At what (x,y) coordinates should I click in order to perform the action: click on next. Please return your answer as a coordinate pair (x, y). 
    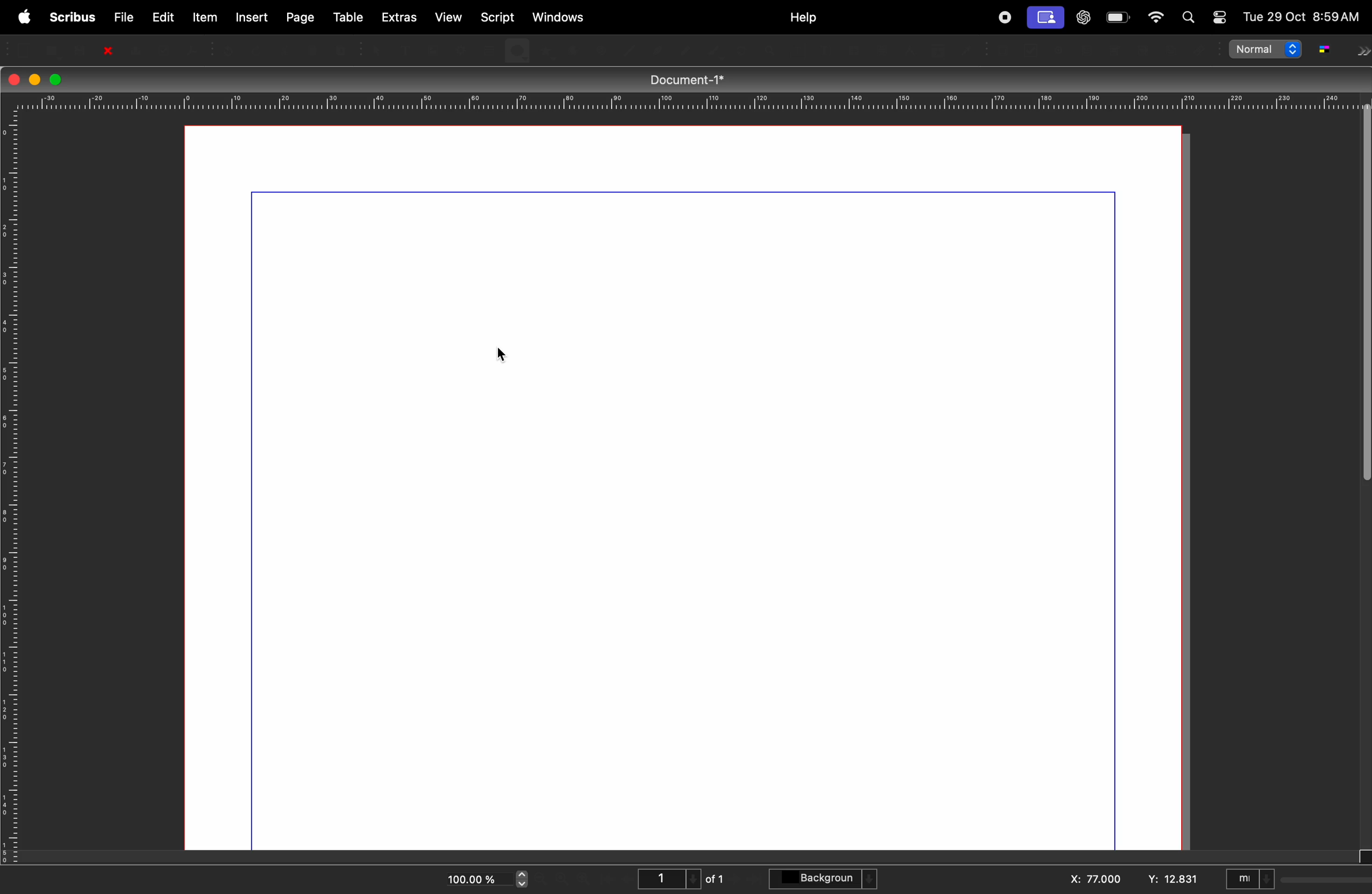
    Looking at the image, I should click on (1362, 52).